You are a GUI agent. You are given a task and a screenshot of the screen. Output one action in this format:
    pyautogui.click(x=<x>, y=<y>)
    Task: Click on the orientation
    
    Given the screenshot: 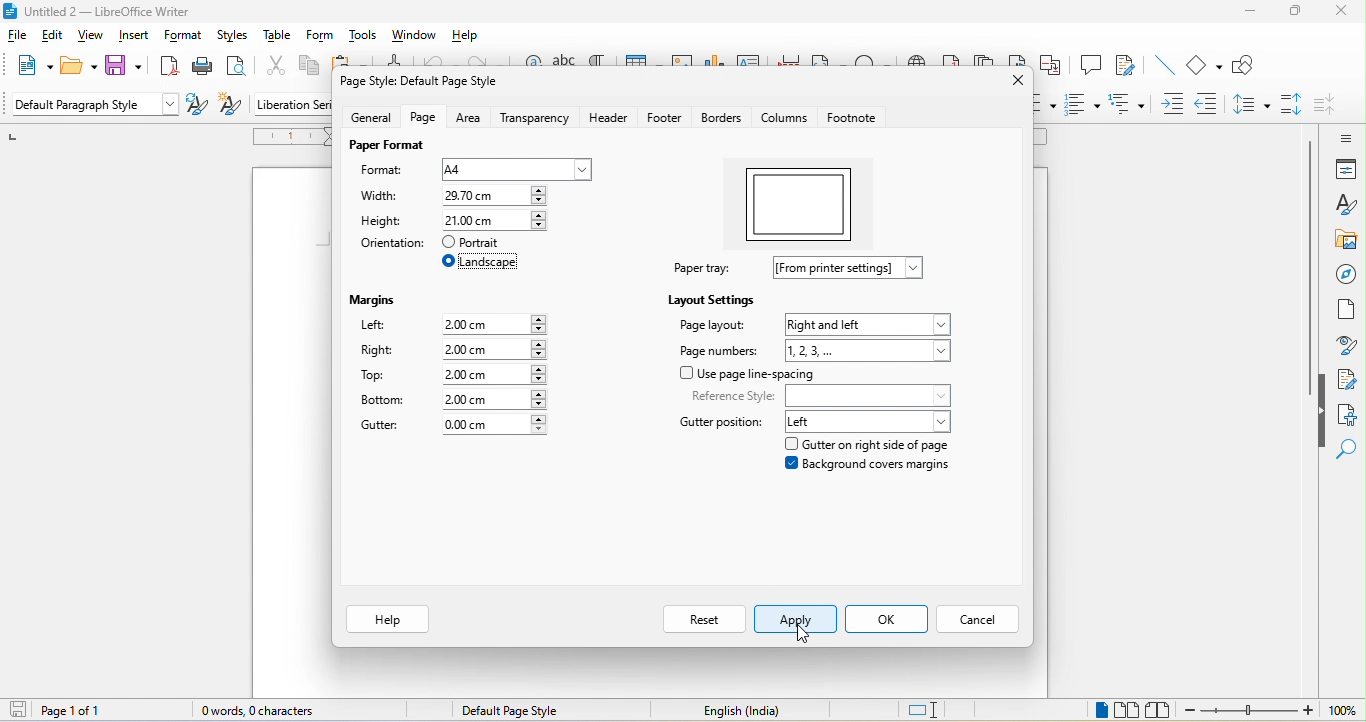 What is the action you would take?
    pyautogui.click(x=389, y=247)
    